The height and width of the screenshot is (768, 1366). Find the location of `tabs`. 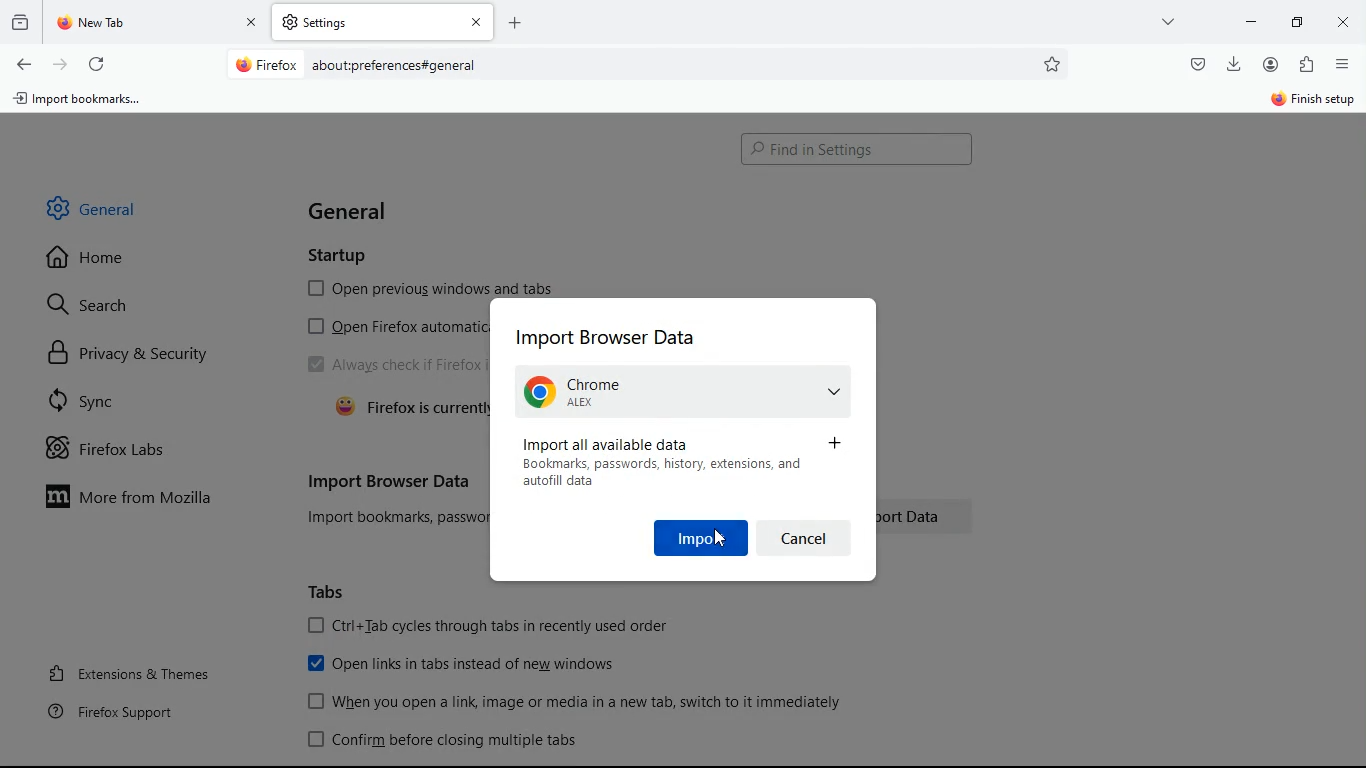

tabs is located at coordinates (331, 592).